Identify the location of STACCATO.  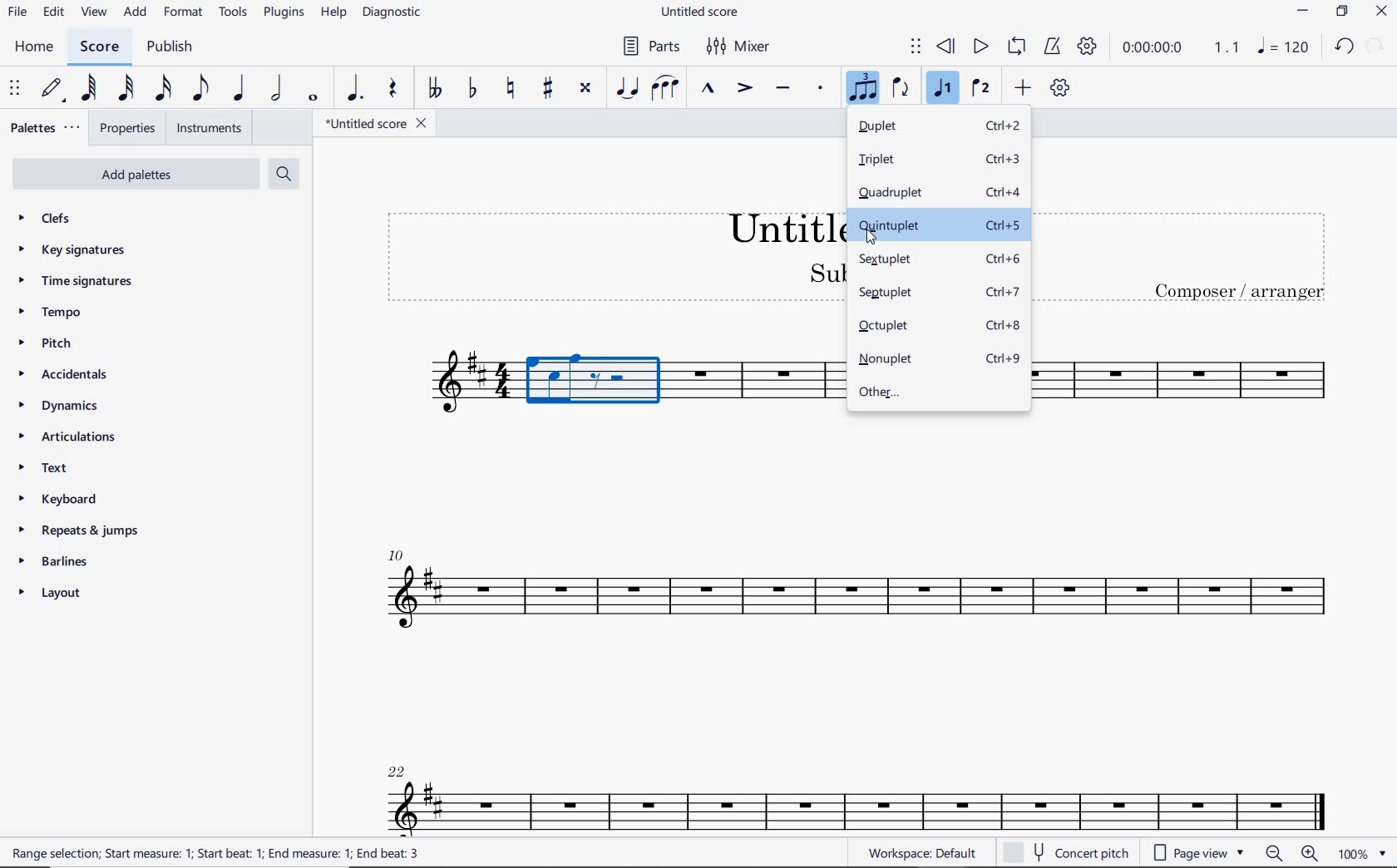
(821, 90).